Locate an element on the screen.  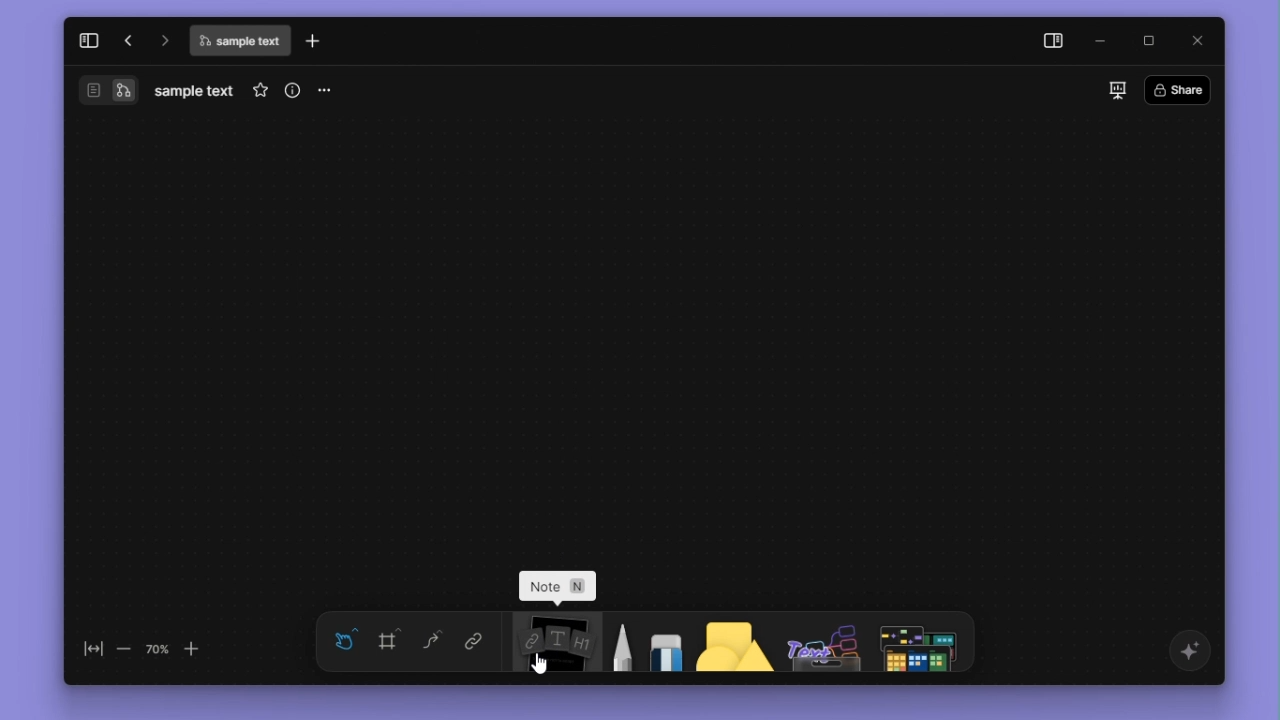
favourites is located at coordinates (256, 90).